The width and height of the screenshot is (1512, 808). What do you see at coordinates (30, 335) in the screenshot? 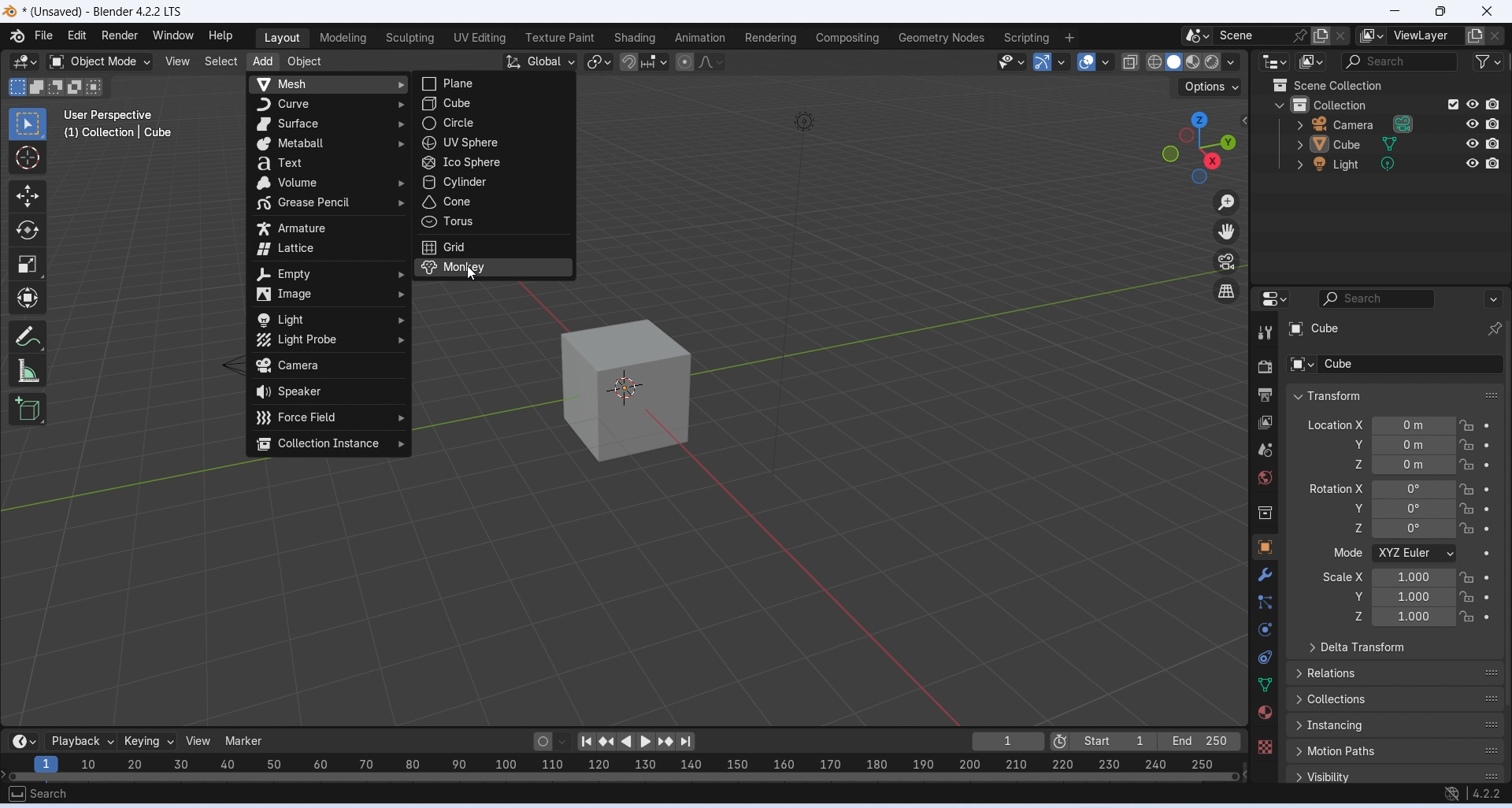
I see `Annotate` at bounding box center [30, 335].